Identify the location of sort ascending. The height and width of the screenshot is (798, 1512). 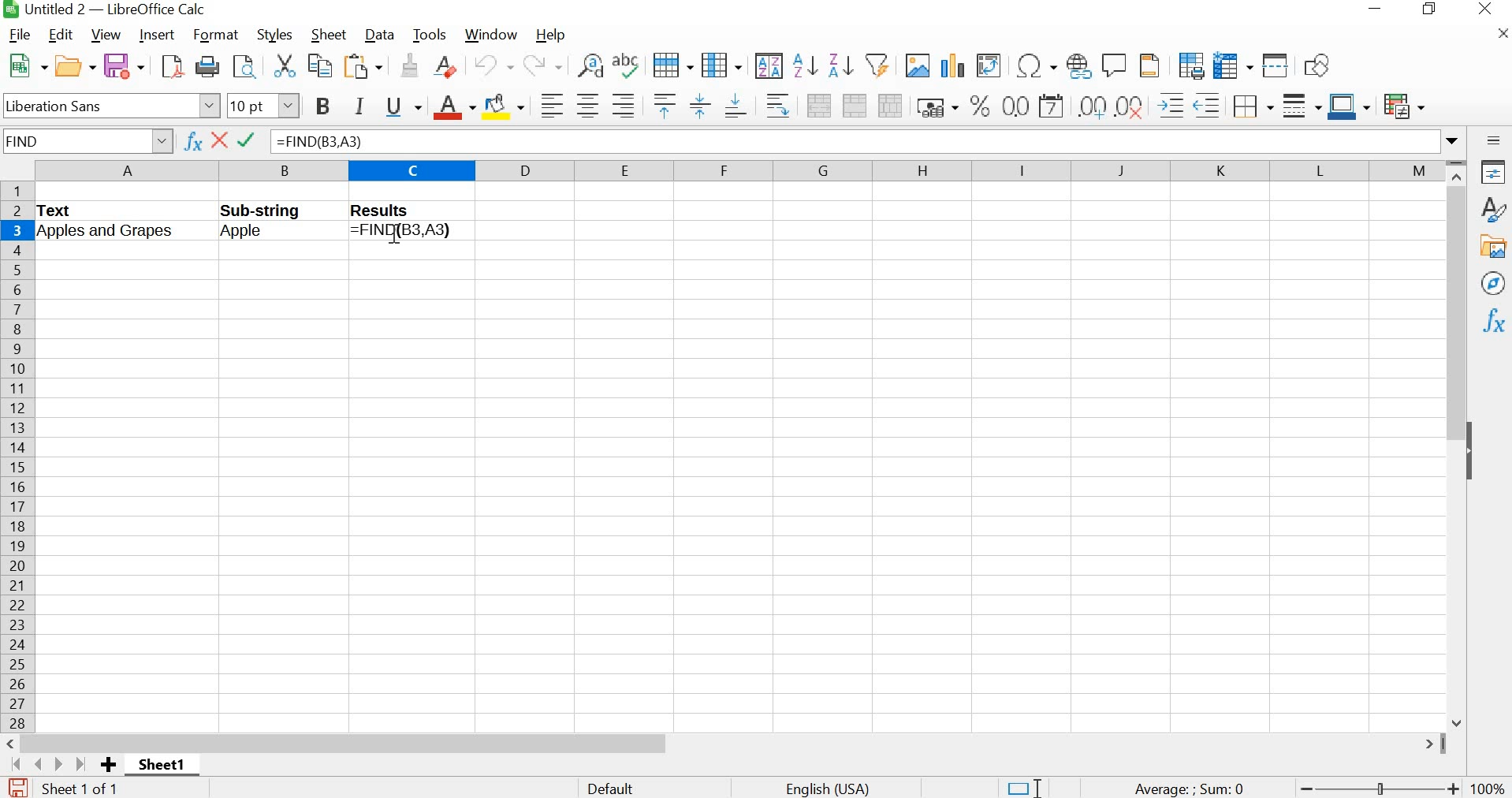
(805, 65).